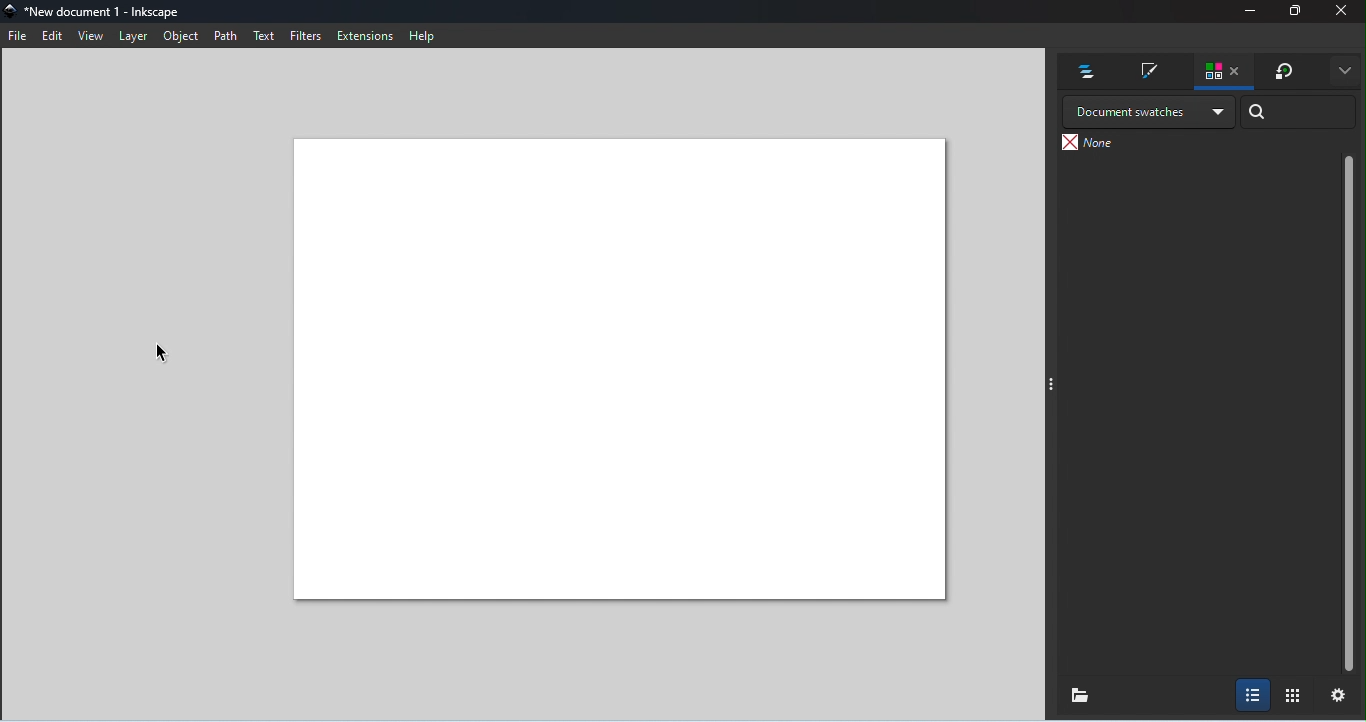 The height and width of the screenshot is (722, 1366). I want to click on Toggle command panel, so click(1356, 386).